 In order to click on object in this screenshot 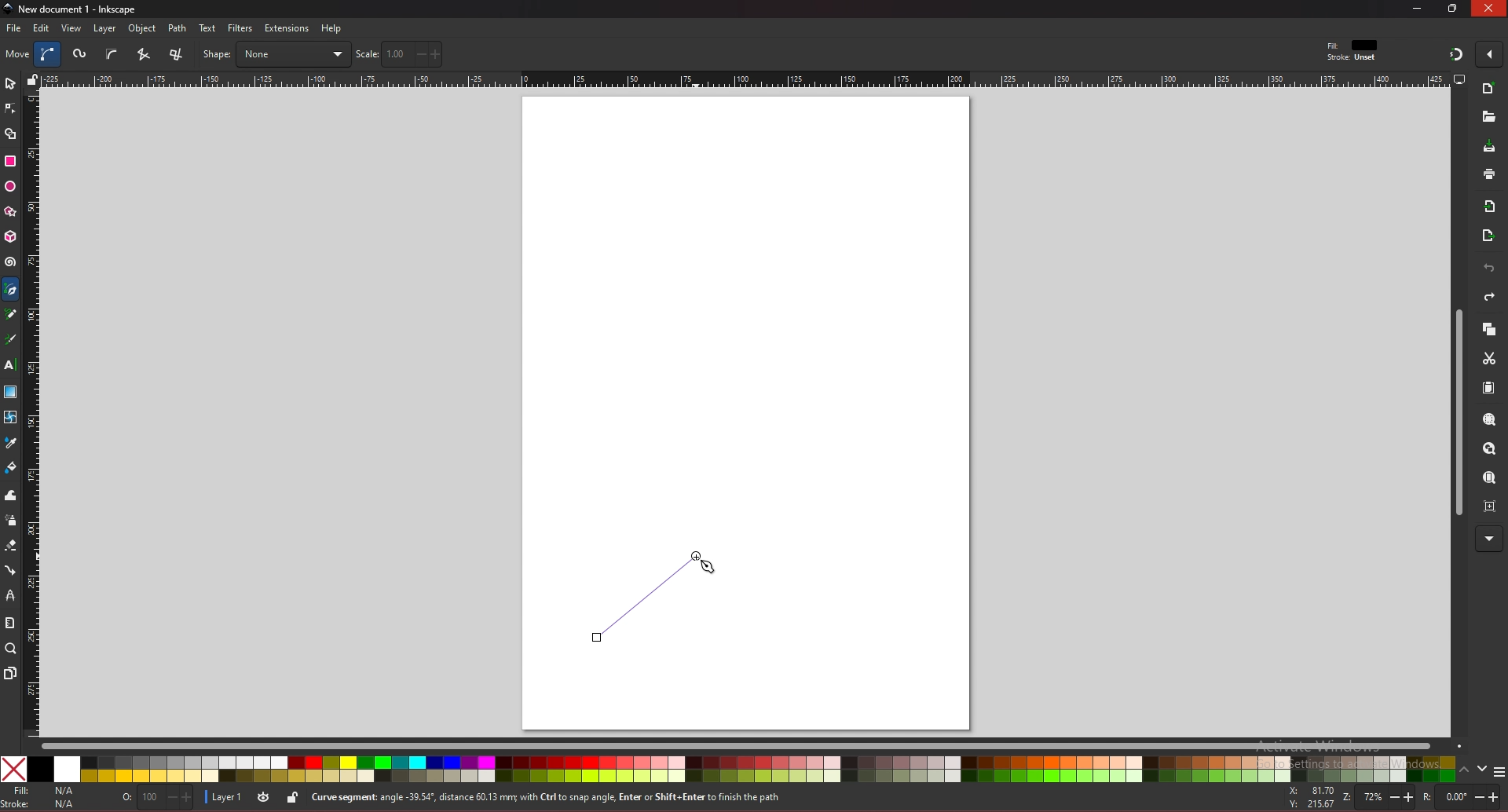, I will do `click(145, 29)`.